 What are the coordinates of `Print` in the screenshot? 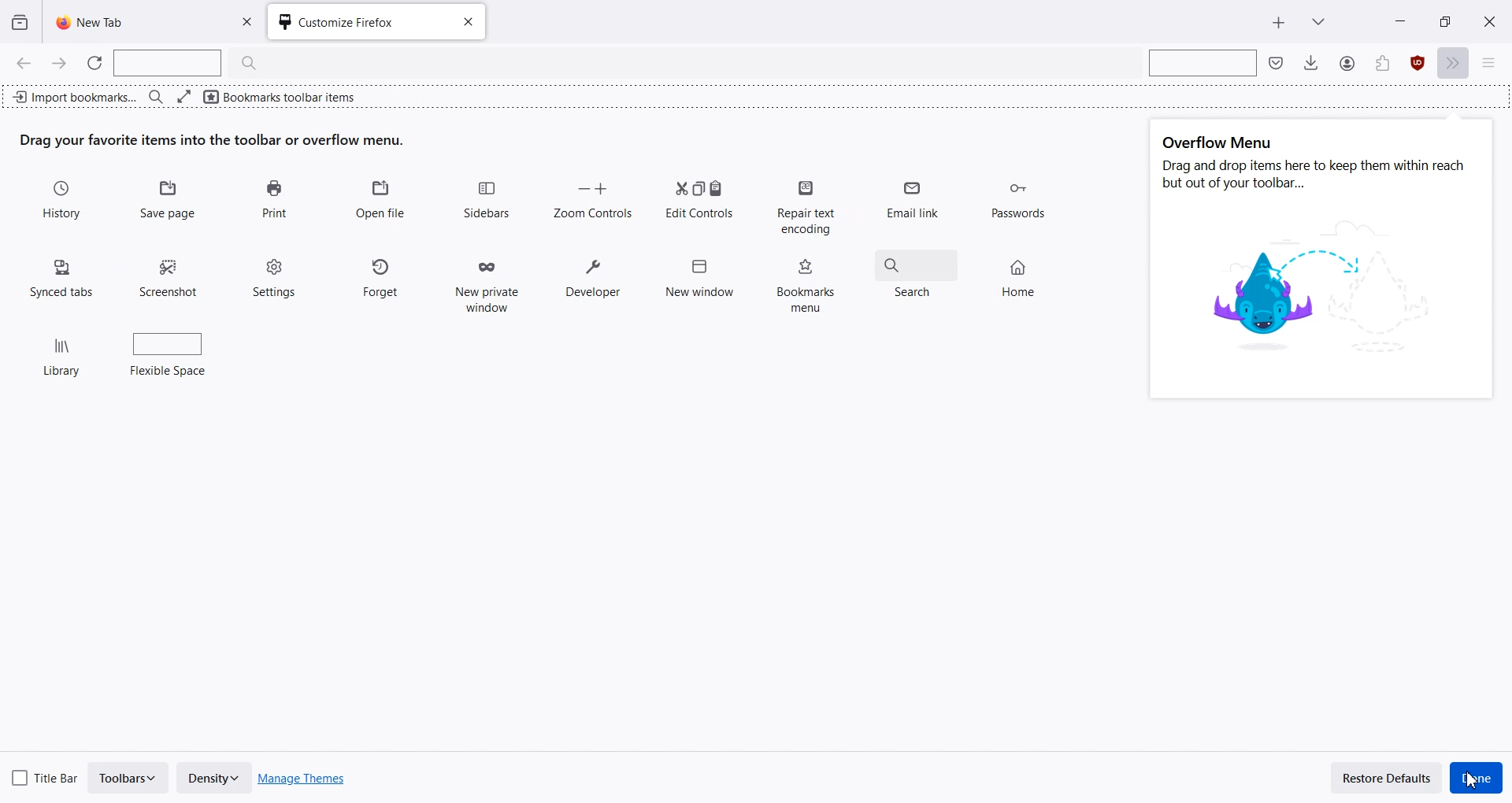 It's located at (274, 200).